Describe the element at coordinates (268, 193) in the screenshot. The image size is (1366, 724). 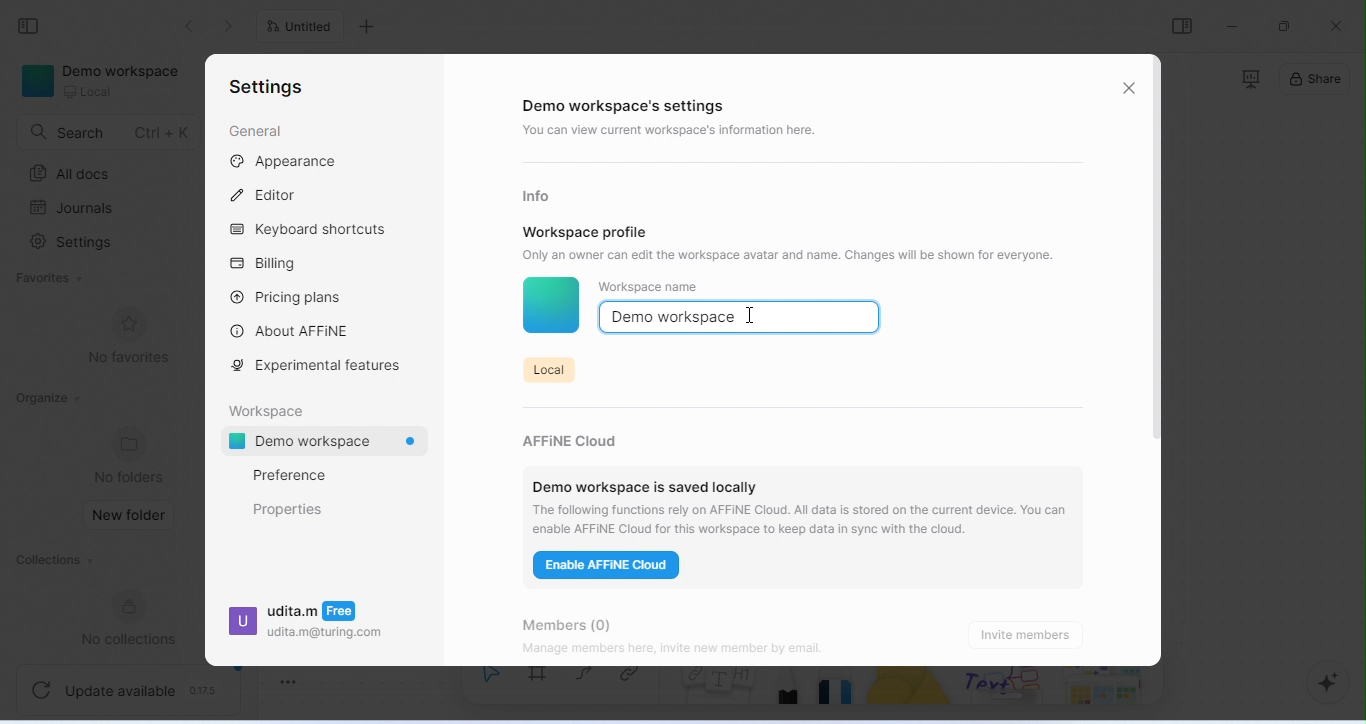
I see `editor` at that location.